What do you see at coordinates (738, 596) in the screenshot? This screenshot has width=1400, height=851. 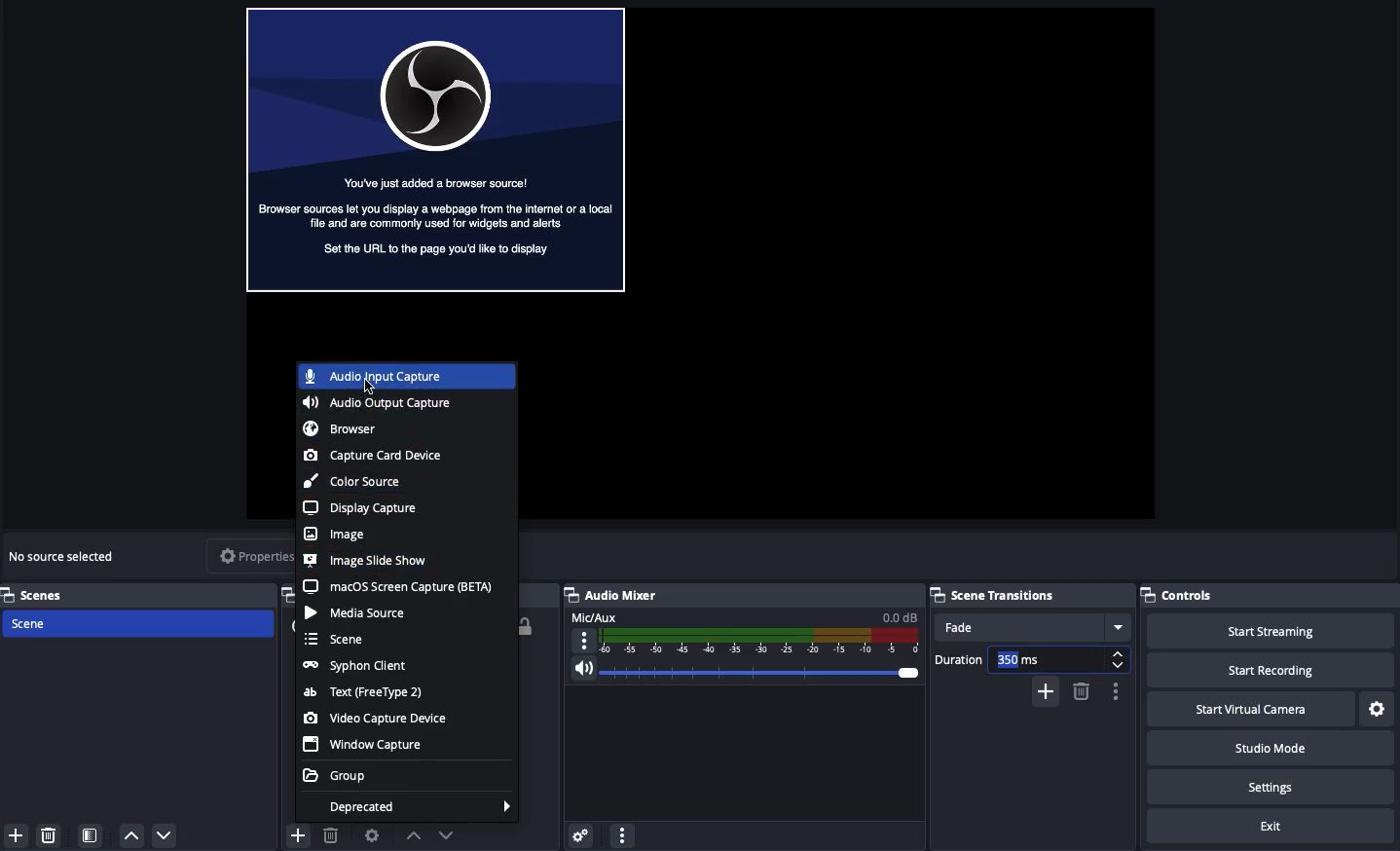 I see `Audio mixer` at bounding box center [738, 596].